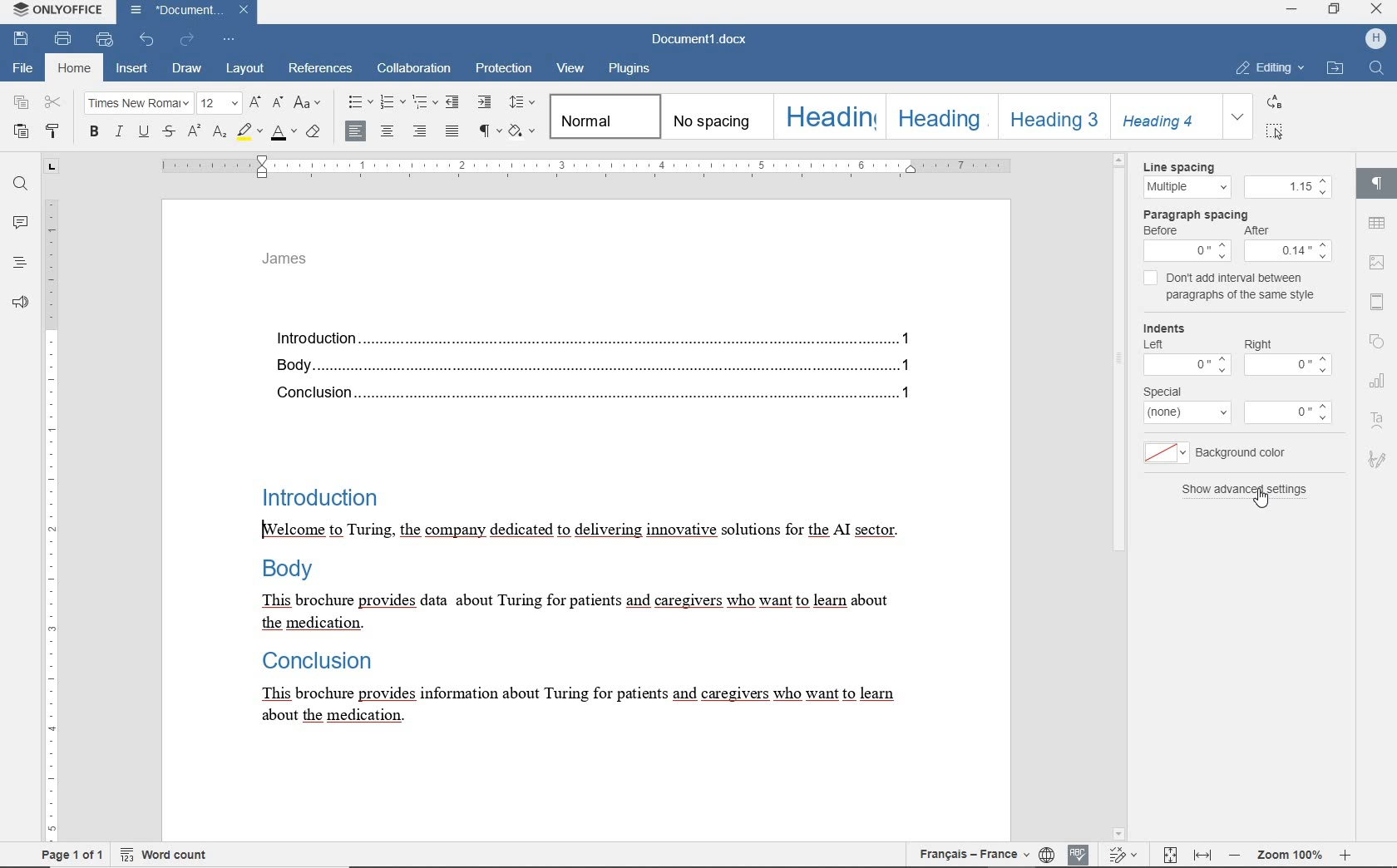 The height and width of the screenshot is (868, 1397). I want to click on introduction, so click(605, 338).